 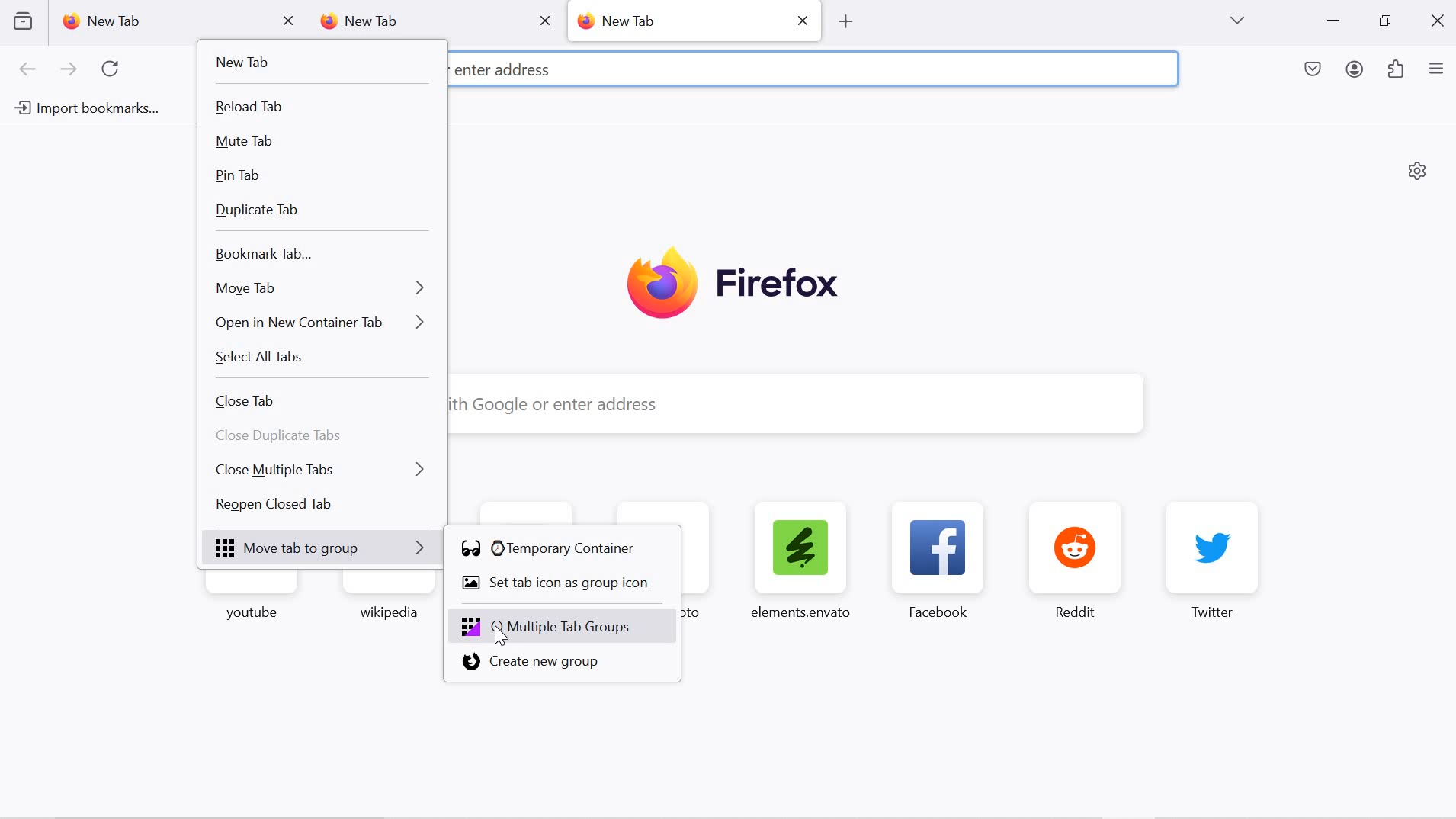 I want to click on import bookmarks, so click(x=84, y=111).